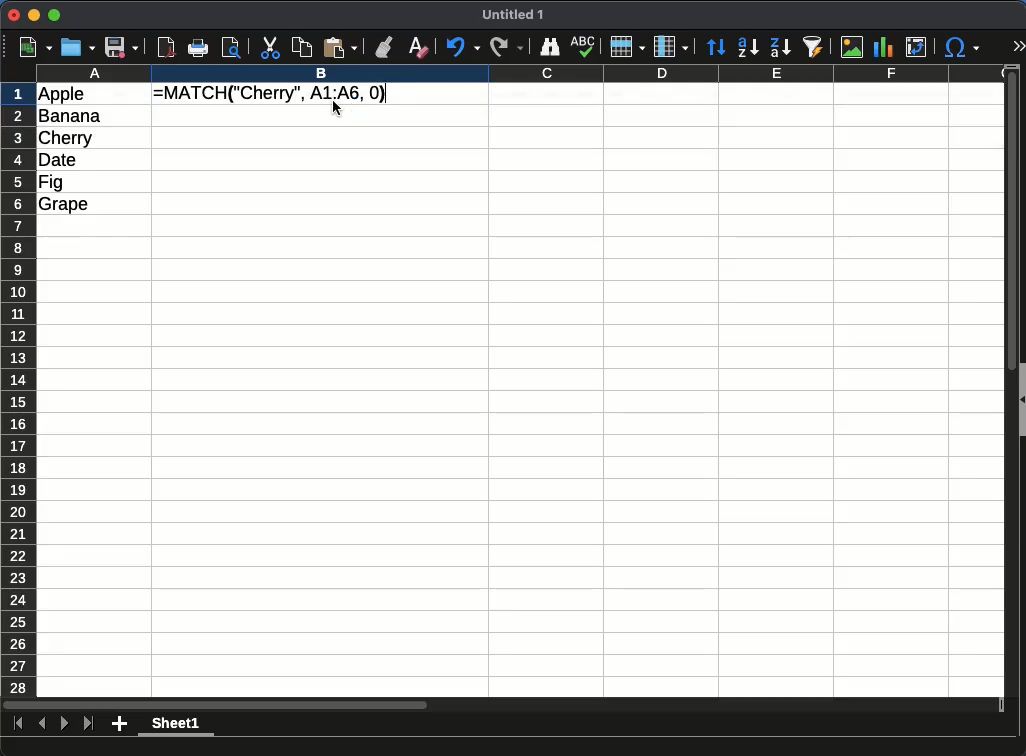  What do you see at coordinates (884, 47) in the screenshot?
I see `chart` at bounding box center [884, 47].